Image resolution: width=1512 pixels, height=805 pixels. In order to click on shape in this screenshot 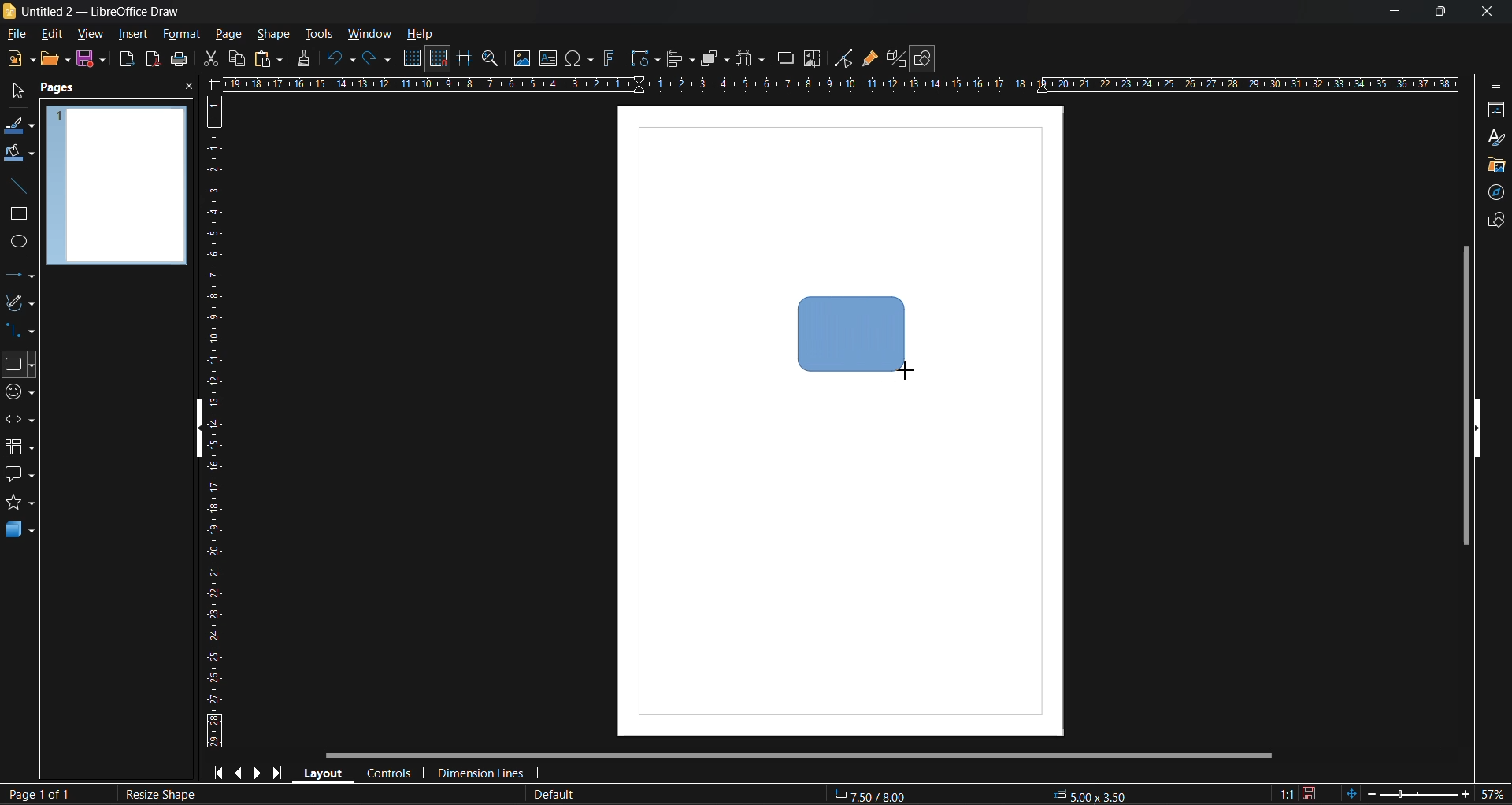, I will do `click(277, 34)`.